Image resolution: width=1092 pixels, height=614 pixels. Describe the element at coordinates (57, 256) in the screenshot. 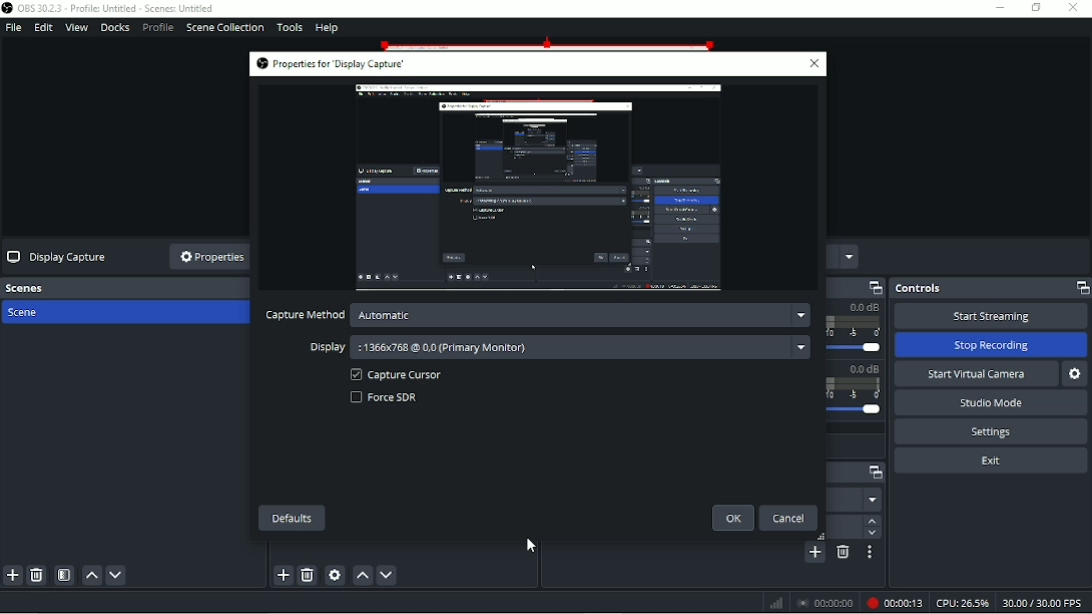

I see `Display Capture` at that location.